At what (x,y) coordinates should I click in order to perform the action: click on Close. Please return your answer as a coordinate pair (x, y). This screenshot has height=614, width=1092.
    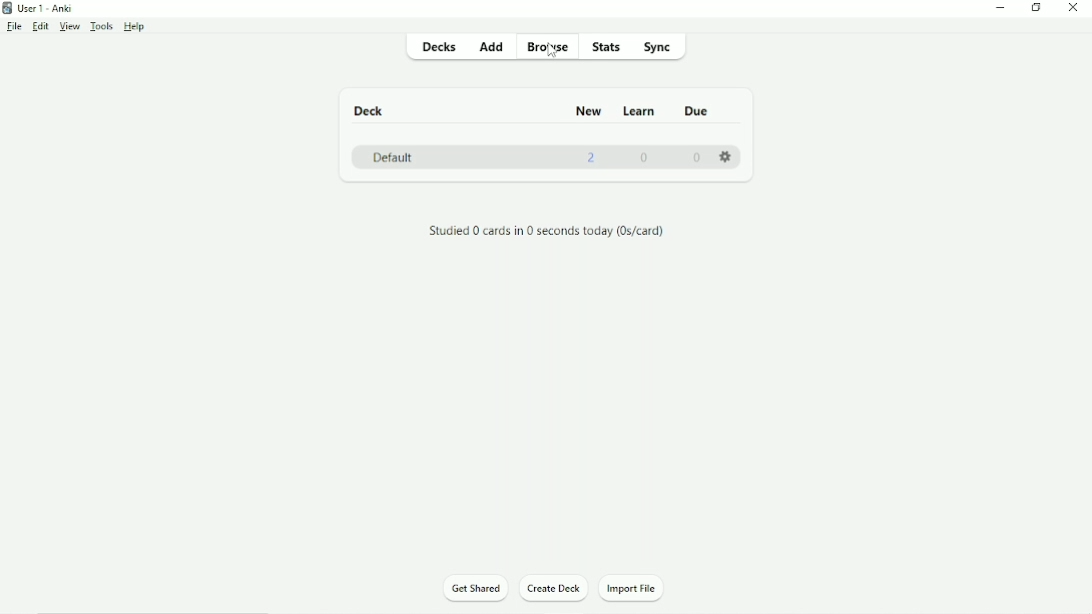
    Looking at the image, I should click on (1072, 9).